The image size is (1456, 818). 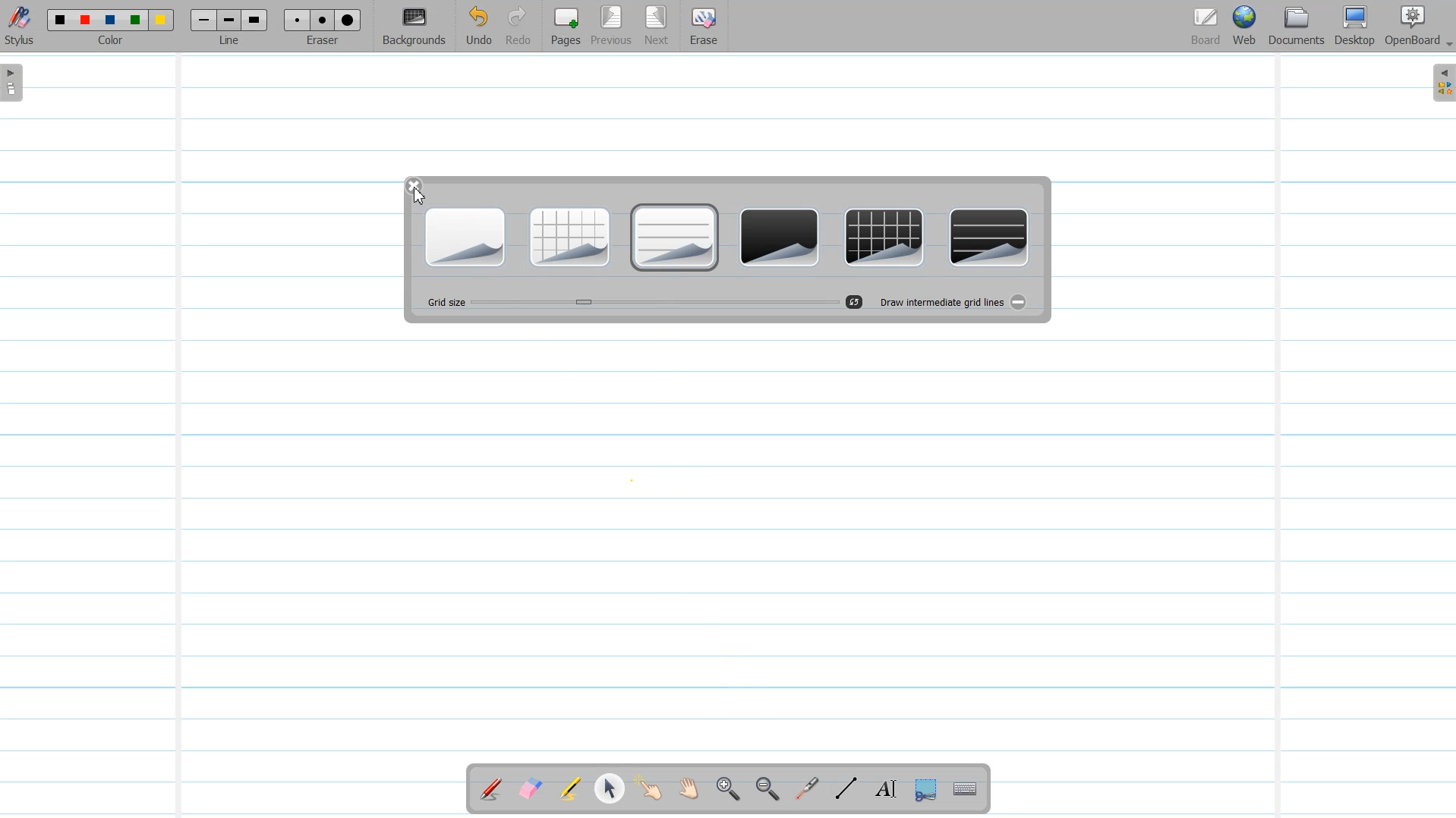 What do you see at coordinates (632, 304) in the screenshot?
I see `Grid Size Adjuster` at bounding box center [632, 304].